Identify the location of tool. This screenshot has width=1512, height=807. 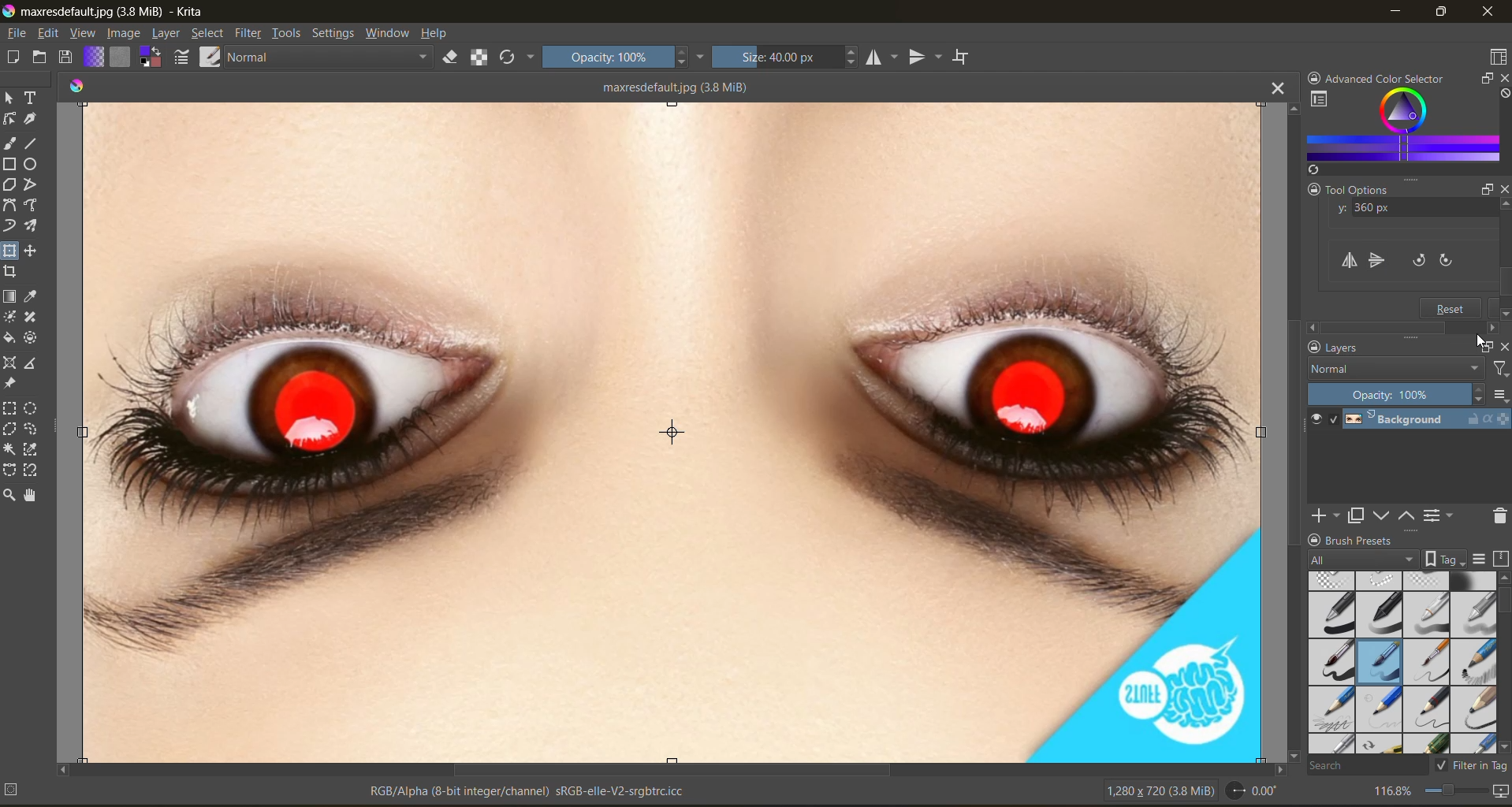
(32, 119).